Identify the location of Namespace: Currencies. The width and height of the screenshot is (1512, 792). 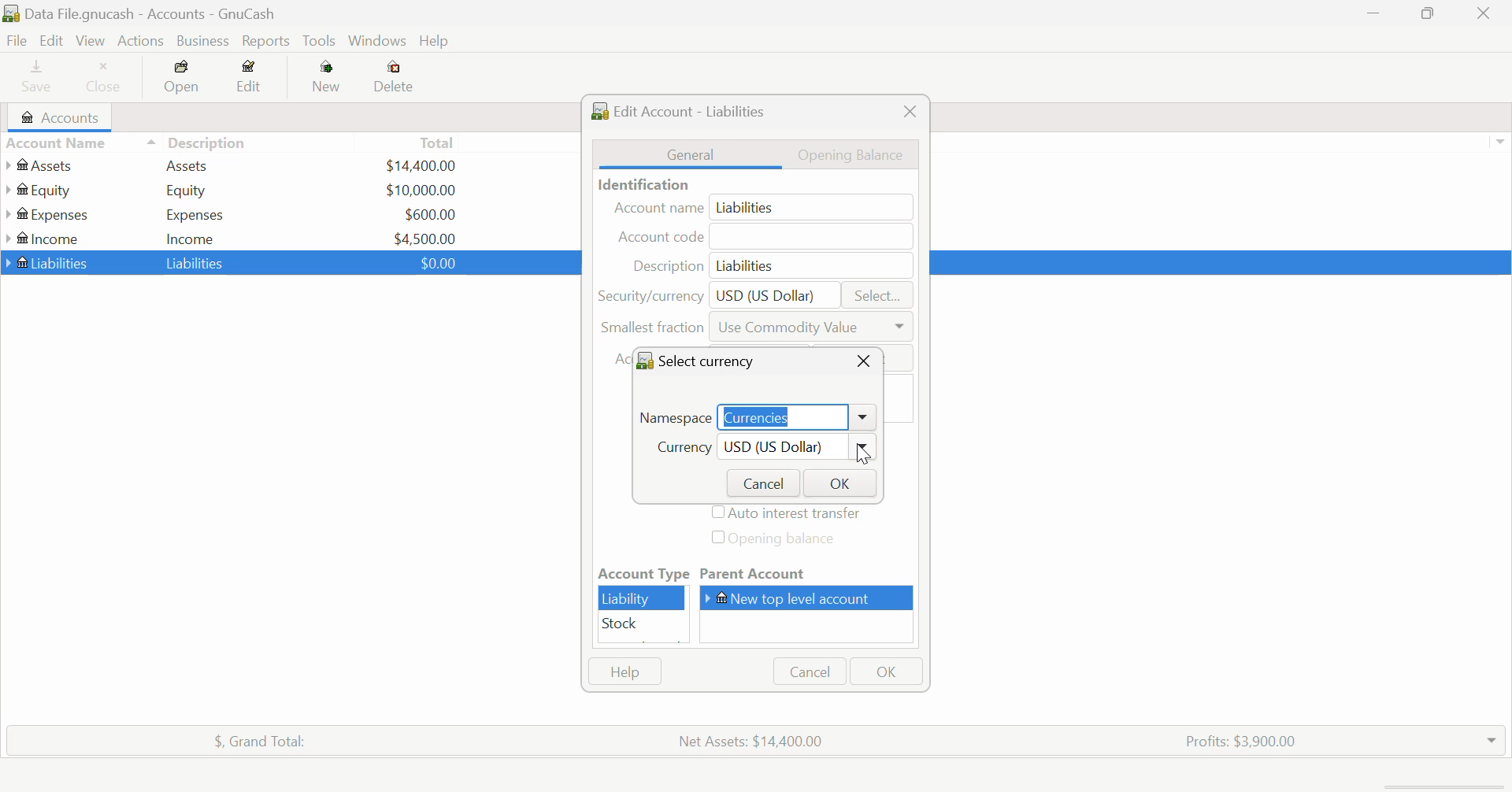
(756, 415).